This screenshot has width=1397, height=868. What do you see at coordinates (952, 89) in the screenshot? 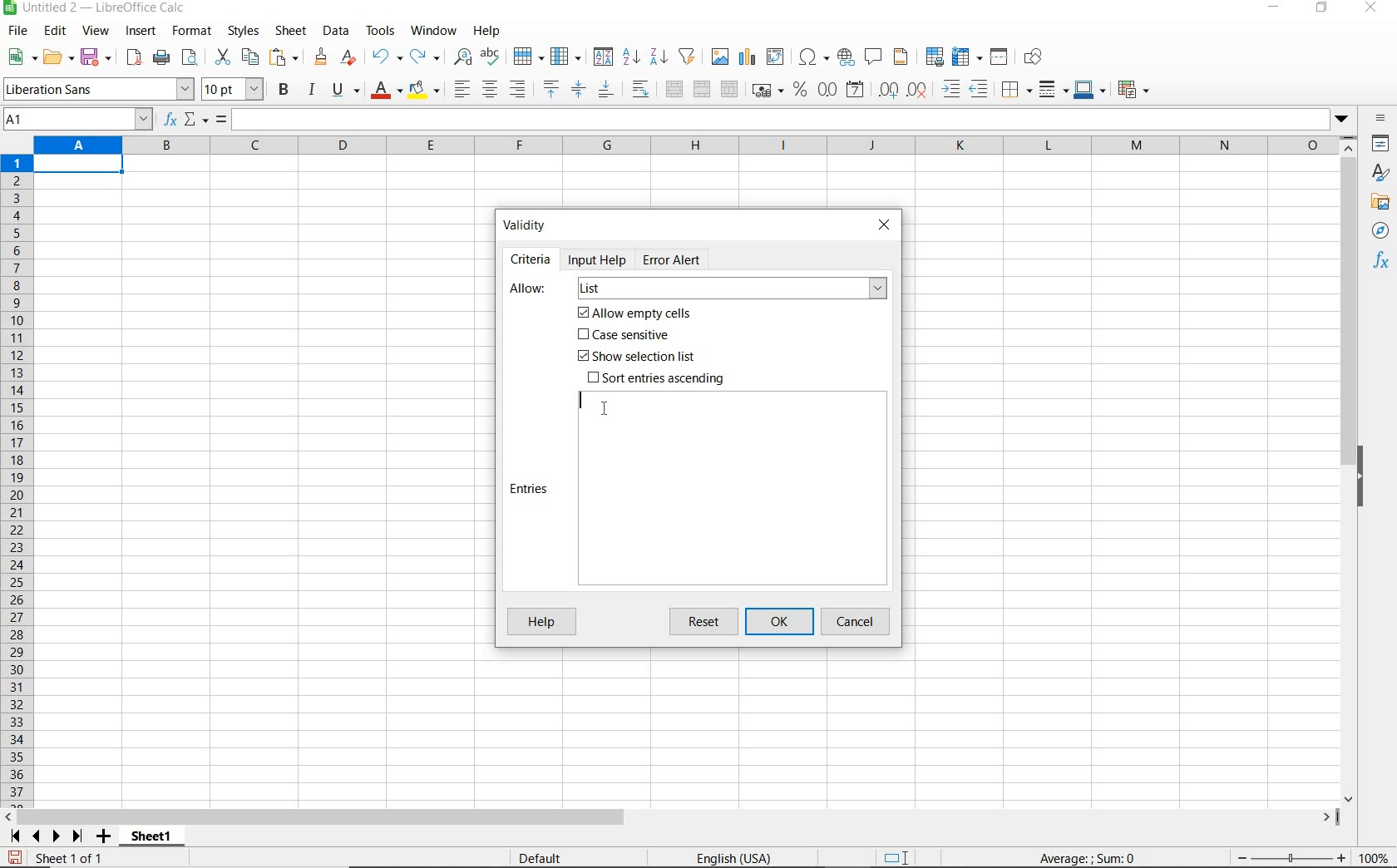
I see `increase indent` at bounding box center [952, 89].